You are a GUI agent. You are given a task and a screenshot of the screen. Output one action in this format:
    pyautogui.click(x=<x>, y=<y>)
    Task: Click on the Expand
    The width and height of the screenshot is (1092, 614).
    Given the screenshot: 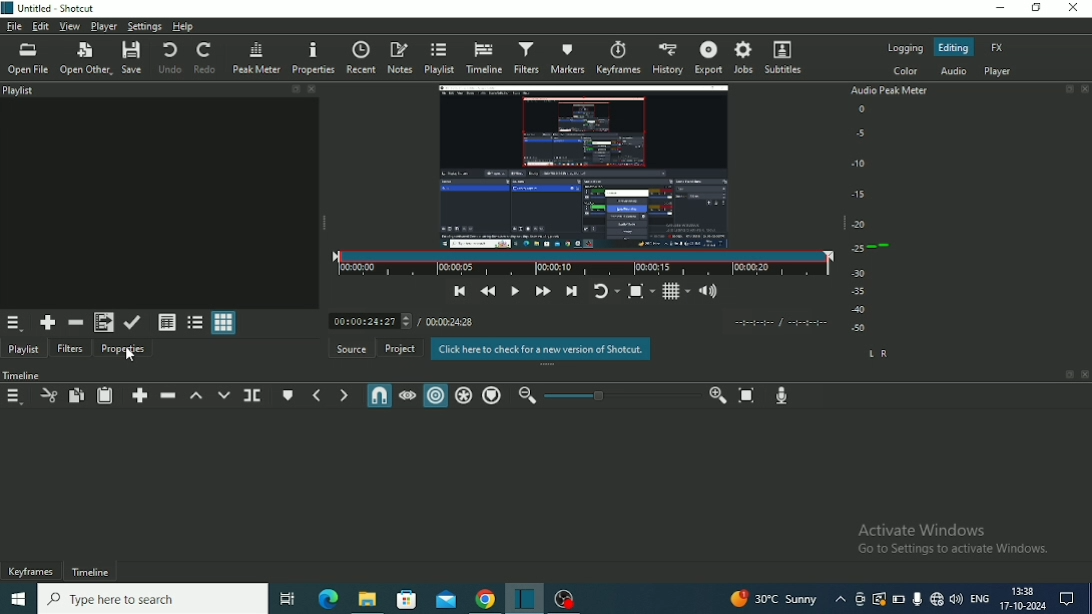 What is the action you would take?
    pyautogui.click(x=1070, y=374)
    